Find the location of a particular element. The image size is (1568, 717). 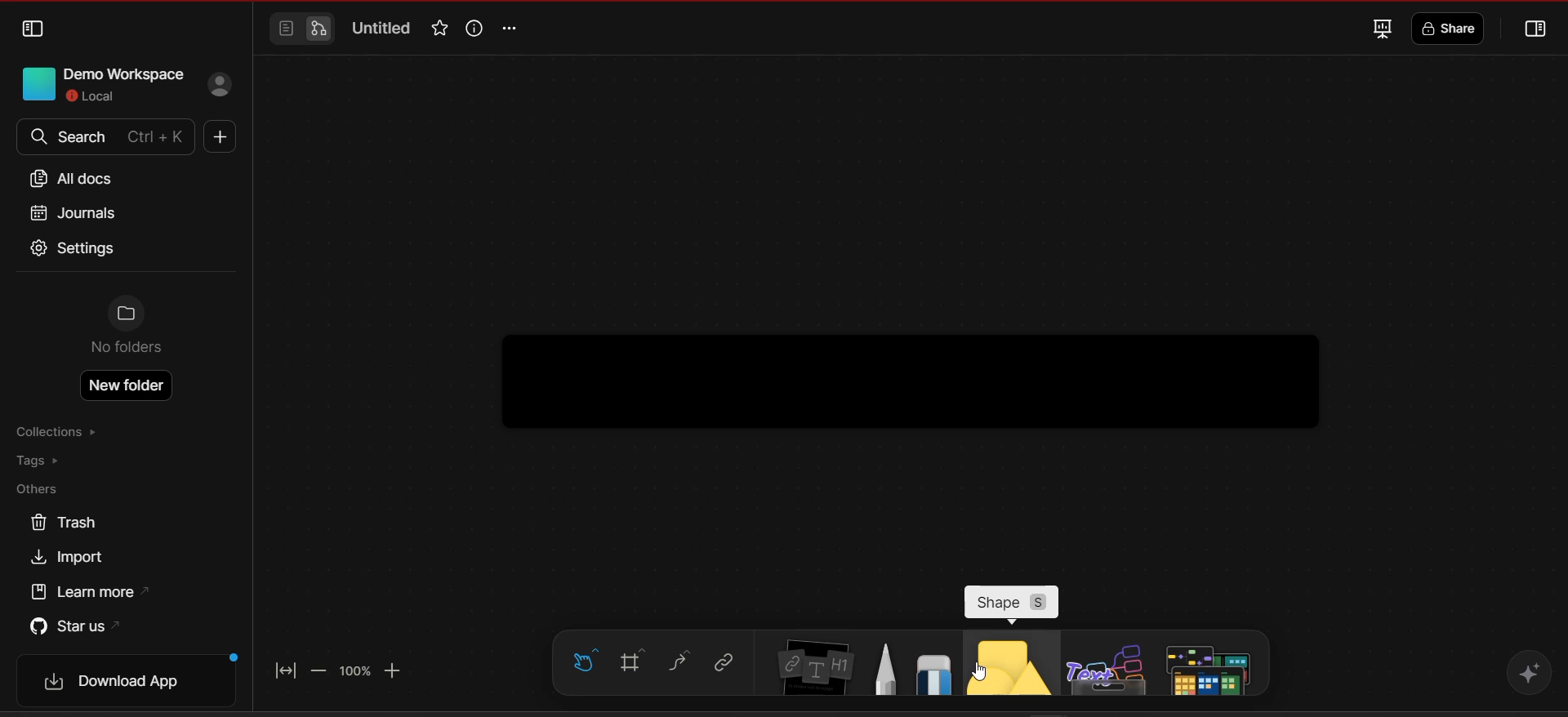

working area is located at coordinates (916, 321).